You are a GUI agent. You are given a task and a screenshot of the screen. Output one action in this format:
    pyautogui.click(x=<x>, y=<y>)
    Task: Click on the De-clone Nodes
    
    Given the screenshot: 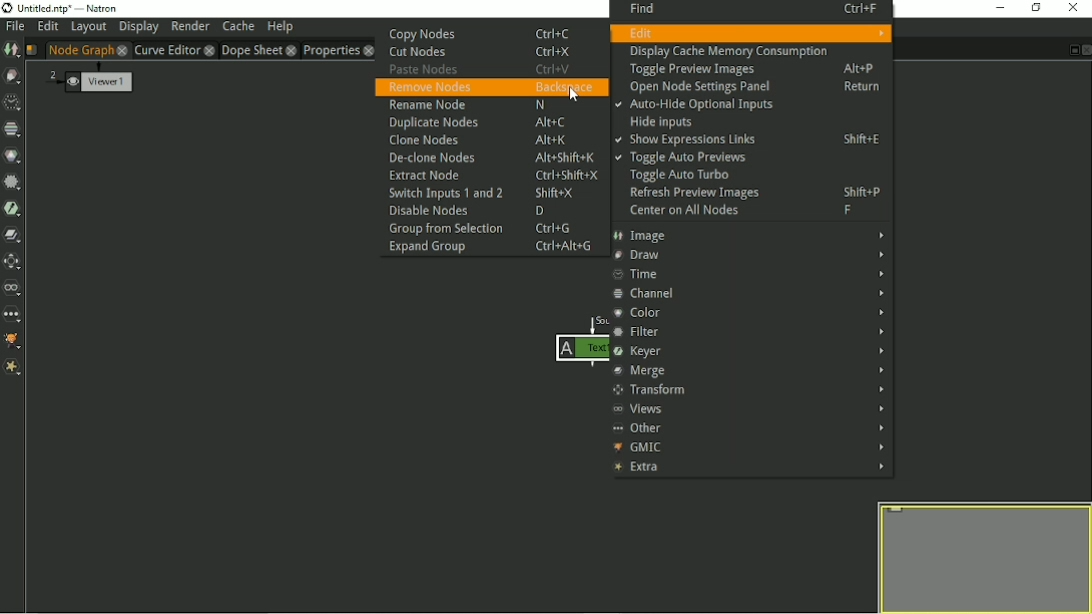 What is the action you would take?
    pyautogui.click(x=494, y=157)
    